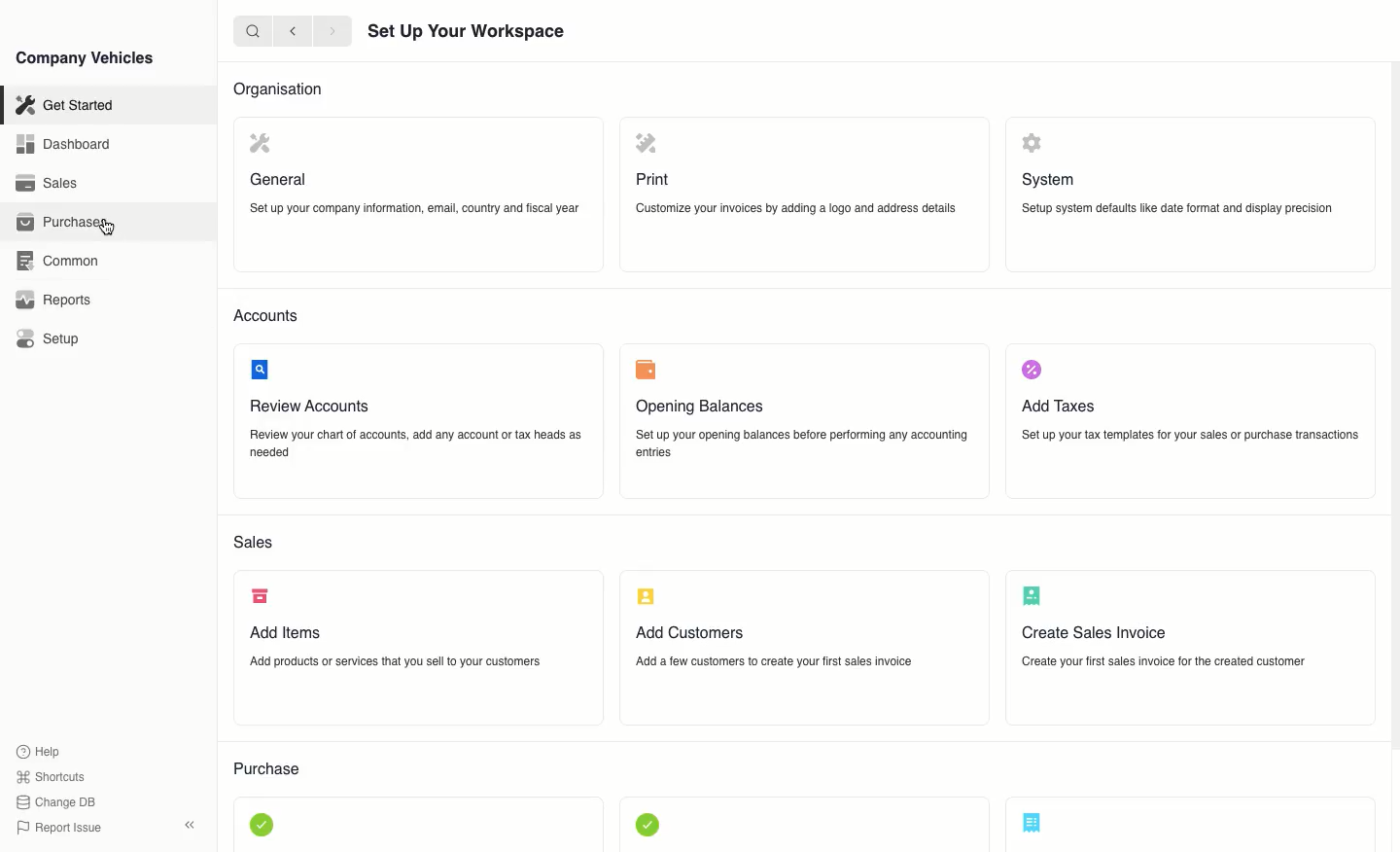 The width and height of the screenshot is (1400, 852). I want to click on icon, so click(263, 827).